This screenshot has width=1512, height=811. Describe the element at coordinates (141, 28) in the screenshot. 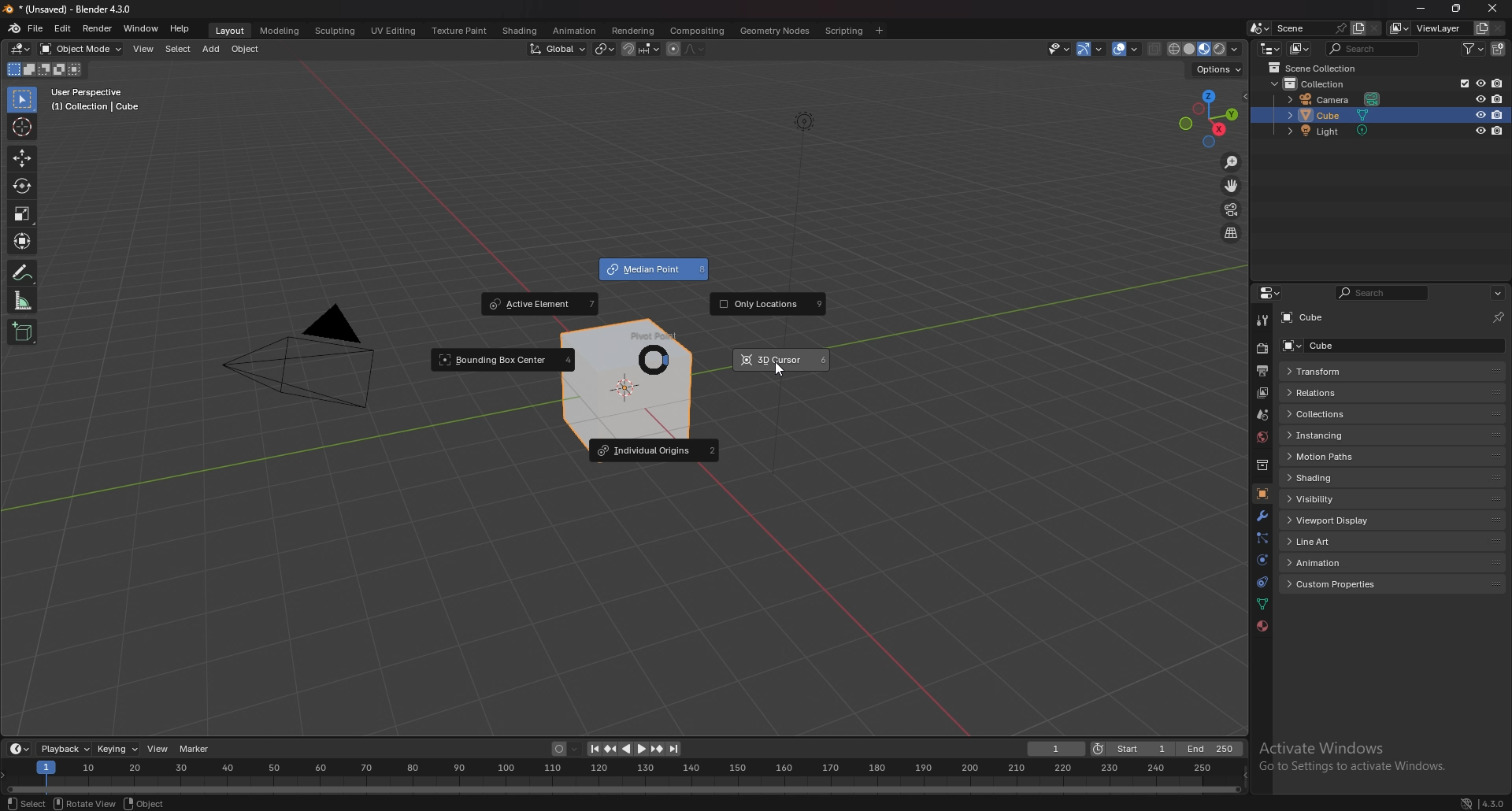

I see `window` at that location.